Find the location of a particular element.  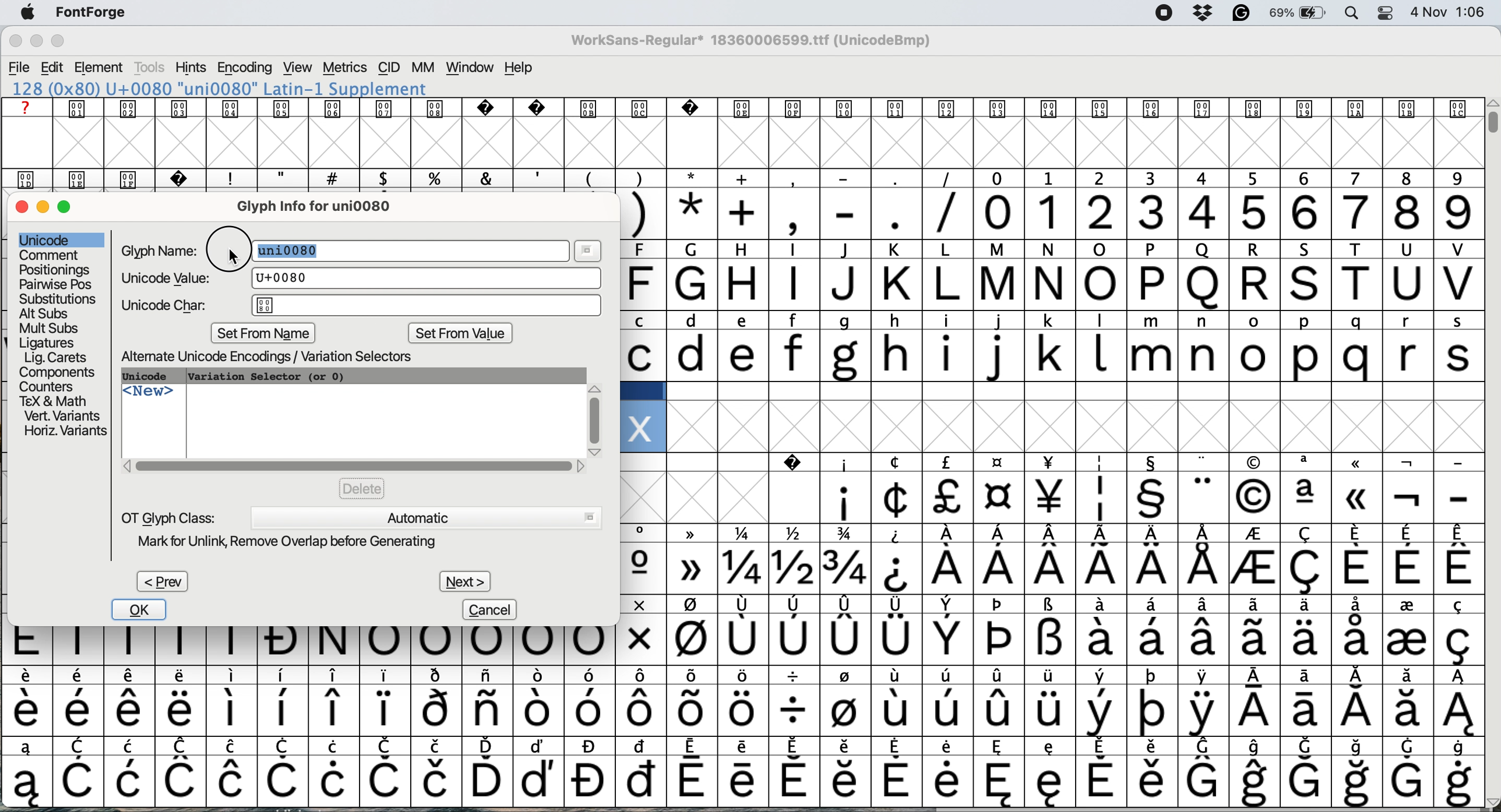

edit is located at coordinates (54, 67).